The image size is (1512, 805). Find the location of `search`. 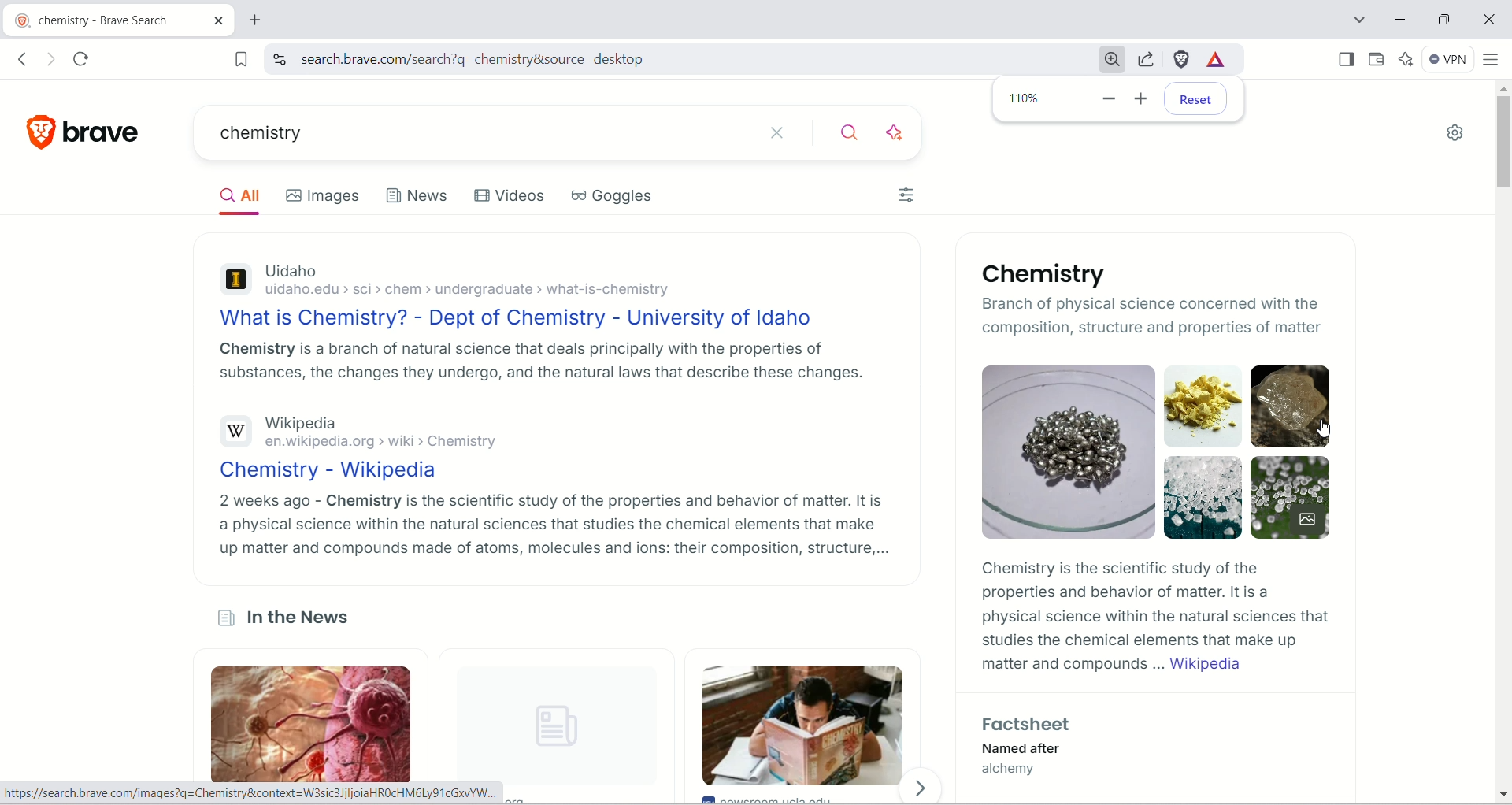

search is located at coordinates (851, 131).